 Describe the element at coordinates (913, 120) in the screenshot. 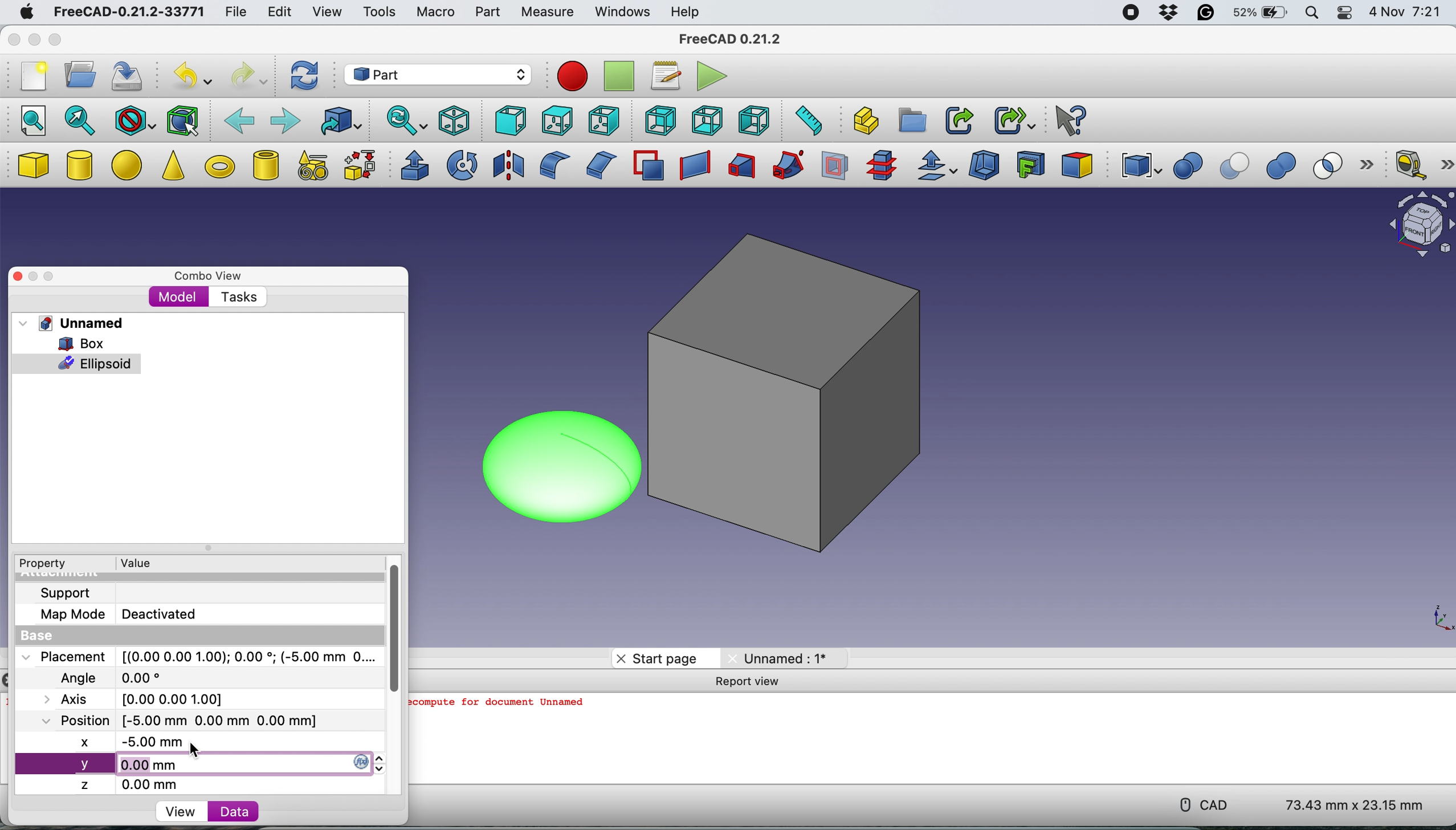

I see `create group` at that location.